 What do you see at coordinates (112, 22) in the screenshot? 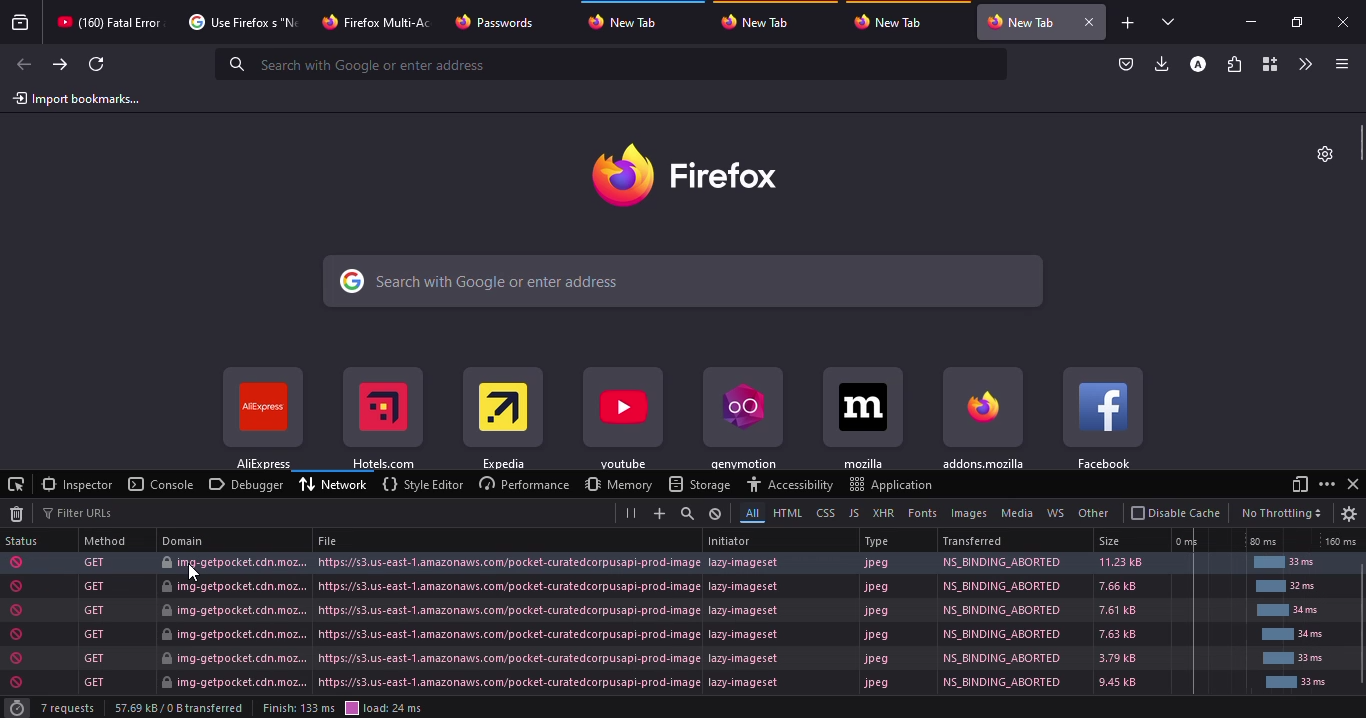
I see `tab` at bounding box center [112, 22].